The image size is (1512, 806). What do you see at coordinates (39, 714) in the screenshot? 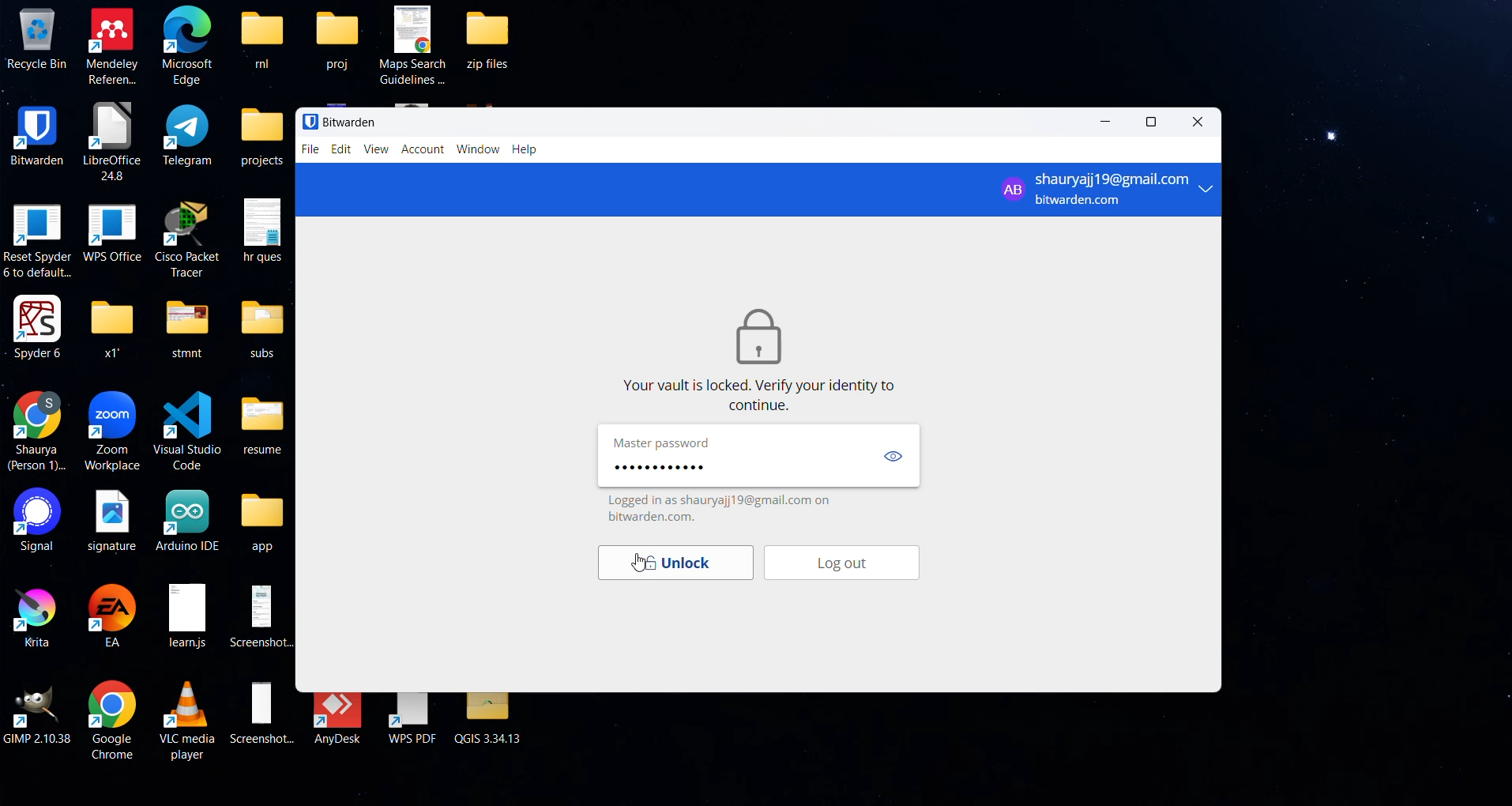
I see `GIMP 2.10.38` at bounding box center [39, 714].